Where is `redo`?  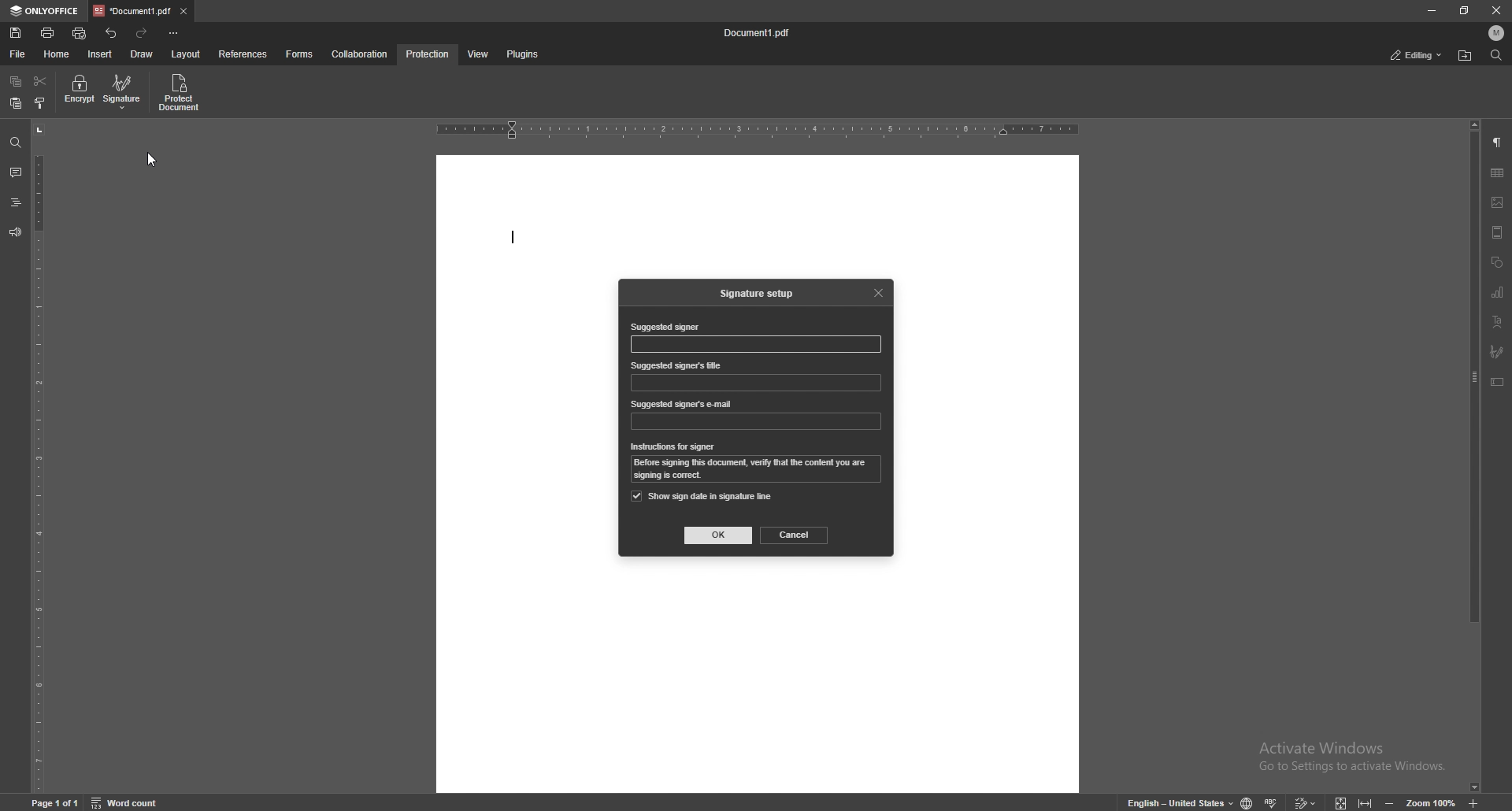
redo is located at coordinates (143, 33).